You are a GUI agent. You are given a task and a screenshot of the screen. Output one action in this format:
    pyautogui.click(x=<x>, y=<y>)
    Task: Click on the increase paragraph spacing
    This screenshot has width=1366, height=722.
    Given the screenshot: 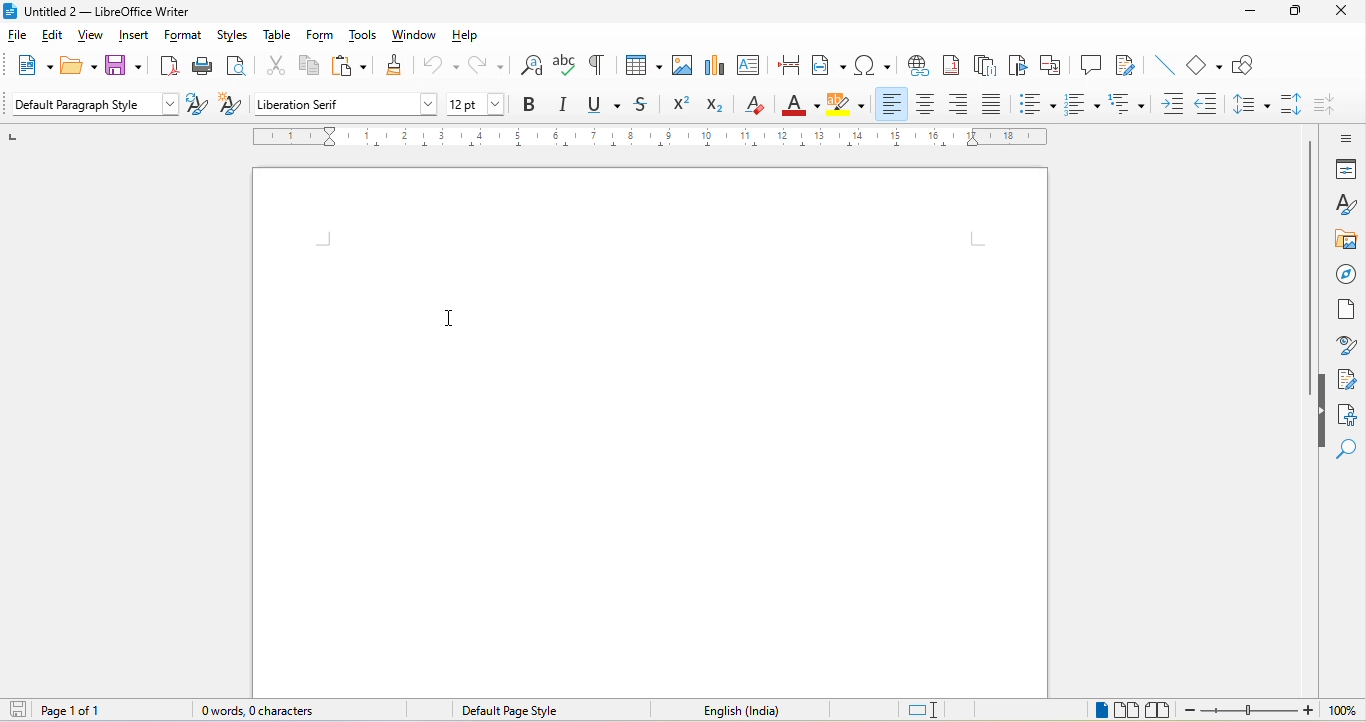 What is the action you would take?
    pyautogui.click(x=1293, y=107)
    